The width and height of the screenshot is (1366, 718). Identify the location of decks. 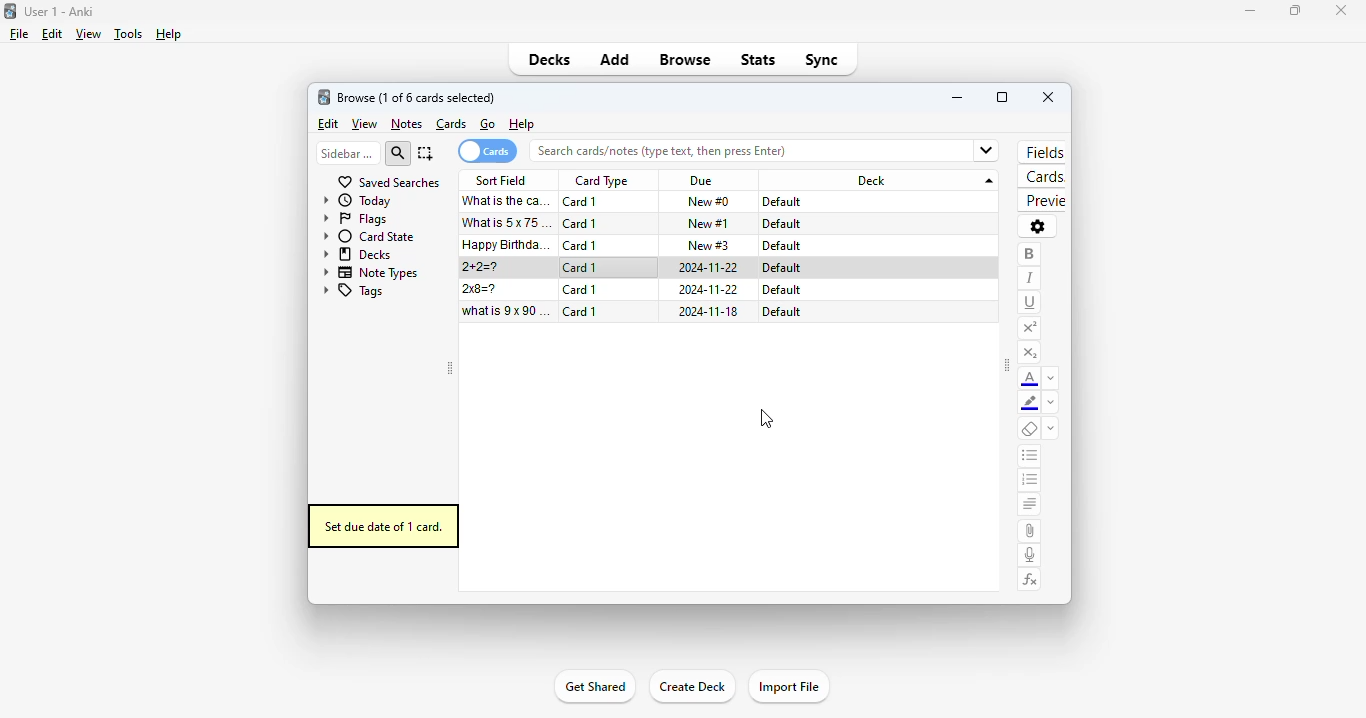
(550, 59).